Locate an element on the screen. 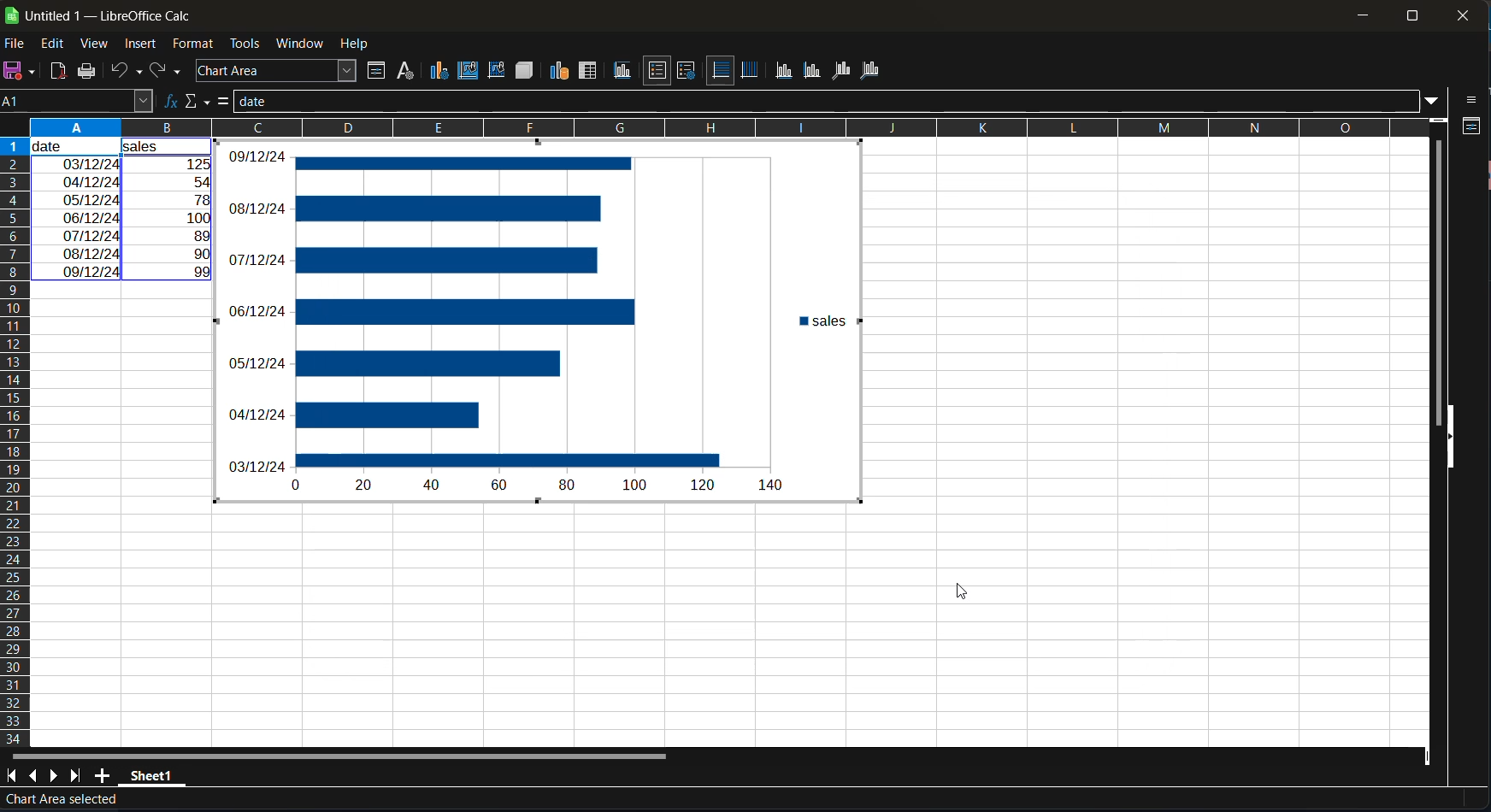 The width and height of the screenshot is (1491, 812). legend is located at coordinates (684, 69).